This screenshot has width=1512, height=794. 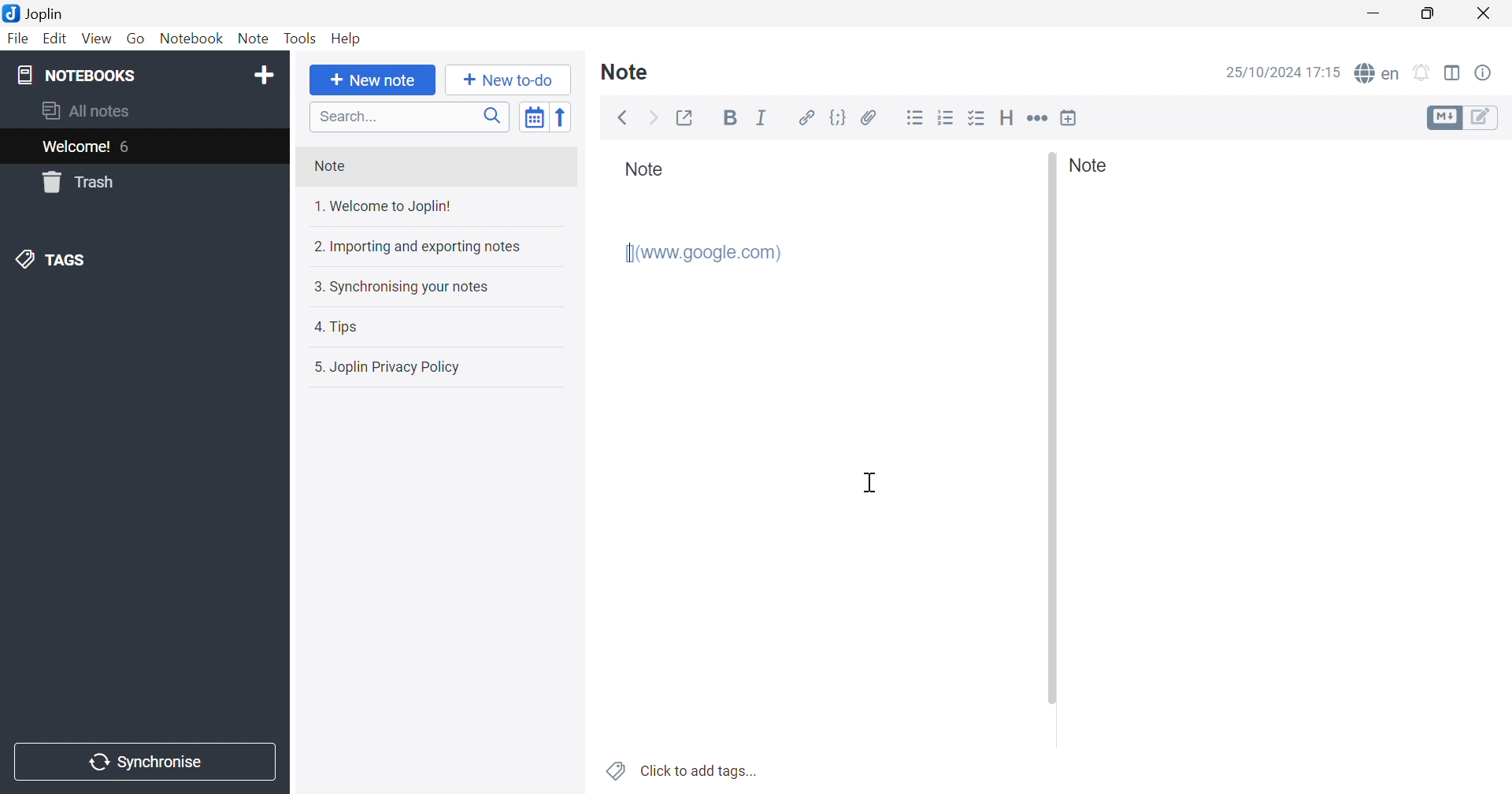 What do you see at coordinates (144, 113) in the screenshot?
I see `All notes` at bounding box center [144, 113].